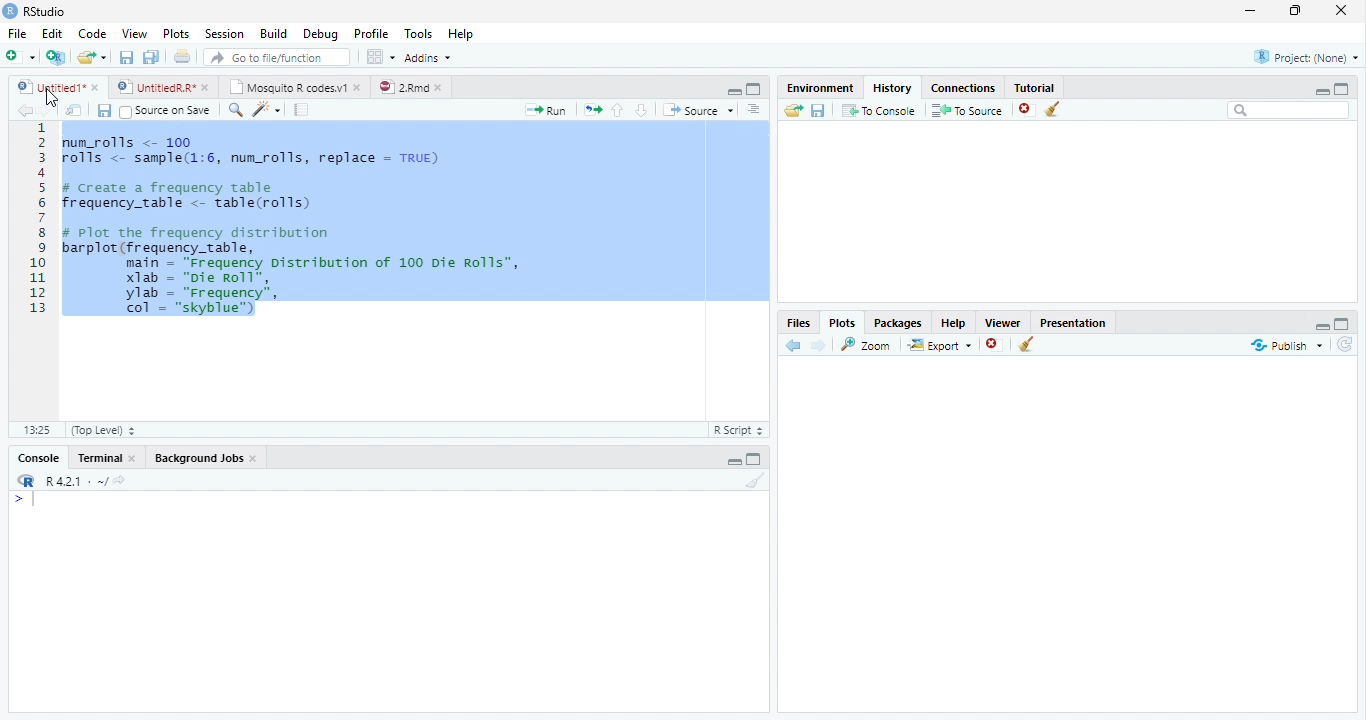 Image resolution: width=1366 pixels, height=720 pixels. Describe the element at coordinates (57, 87) in the screenshot. I see `Ungitied1*` at that location.